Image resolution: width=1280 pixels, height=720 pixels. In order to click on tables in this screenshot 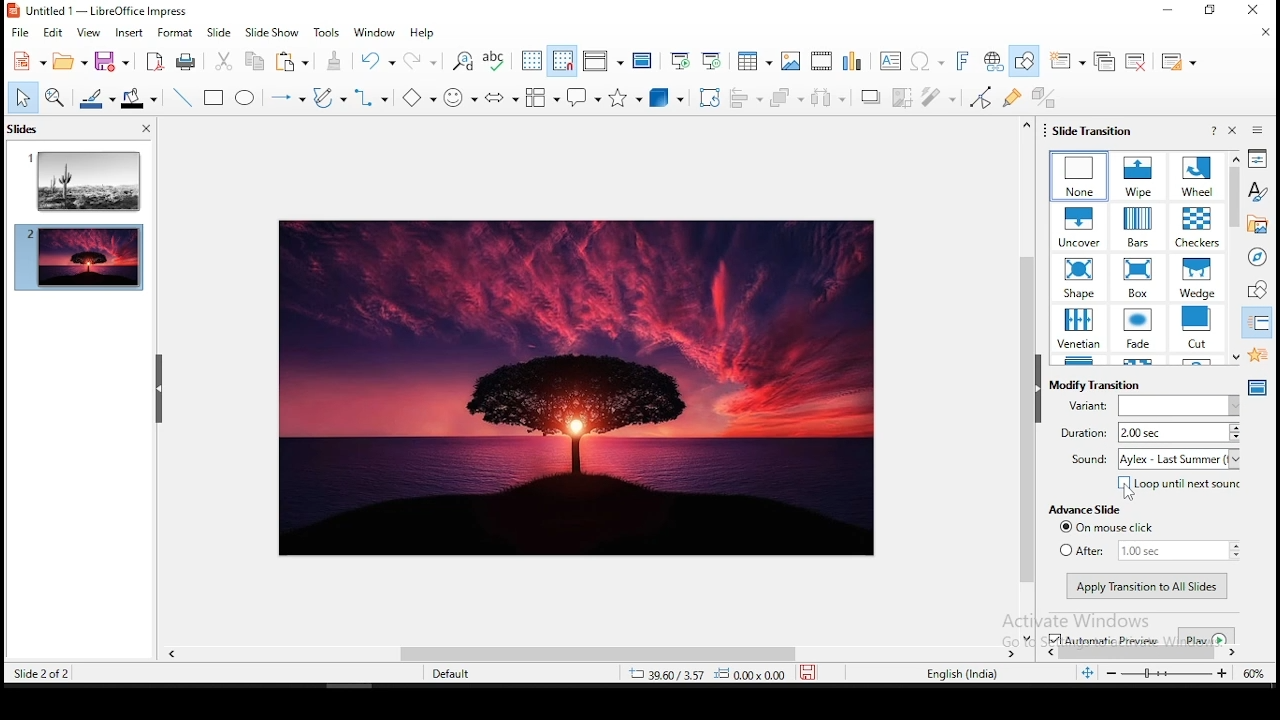, I will do `click(755, 59)`.